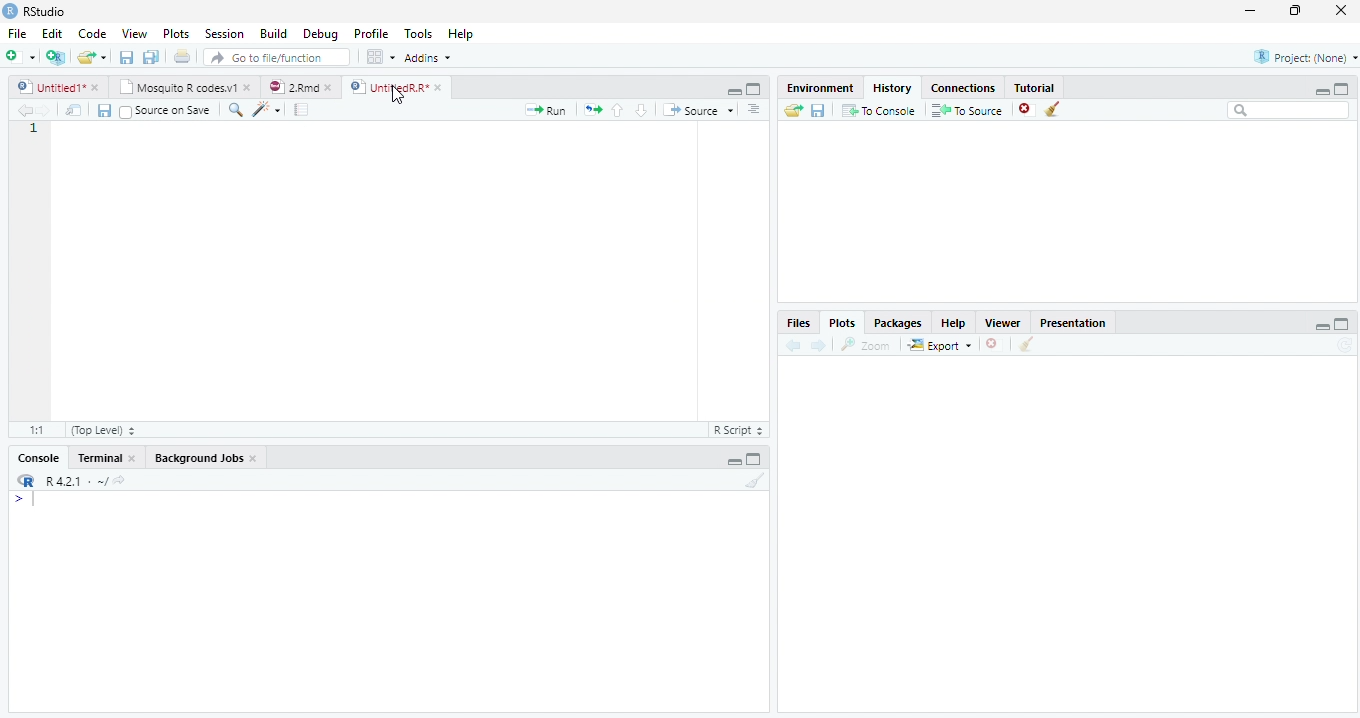 The image size is (1360, 718). I want to click on Viewer, so click(1008, 324).